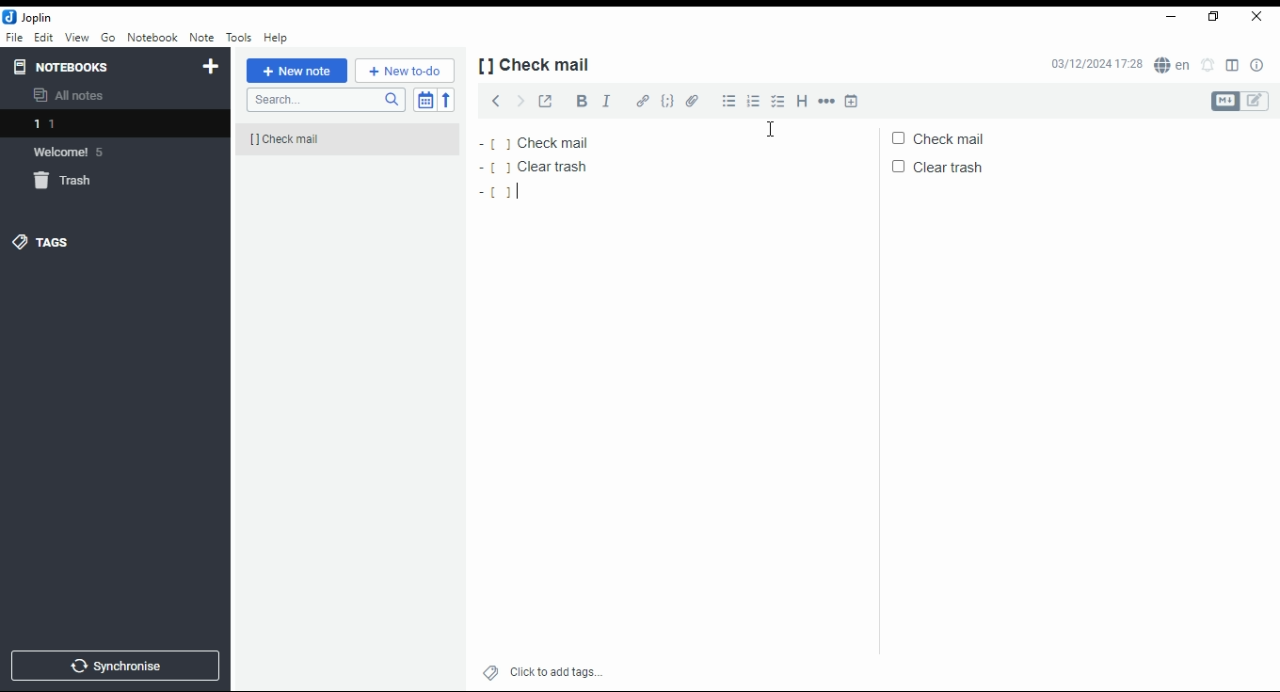 This screenshot has width=1280, height=692. I want to click on [], so click(501, 195).